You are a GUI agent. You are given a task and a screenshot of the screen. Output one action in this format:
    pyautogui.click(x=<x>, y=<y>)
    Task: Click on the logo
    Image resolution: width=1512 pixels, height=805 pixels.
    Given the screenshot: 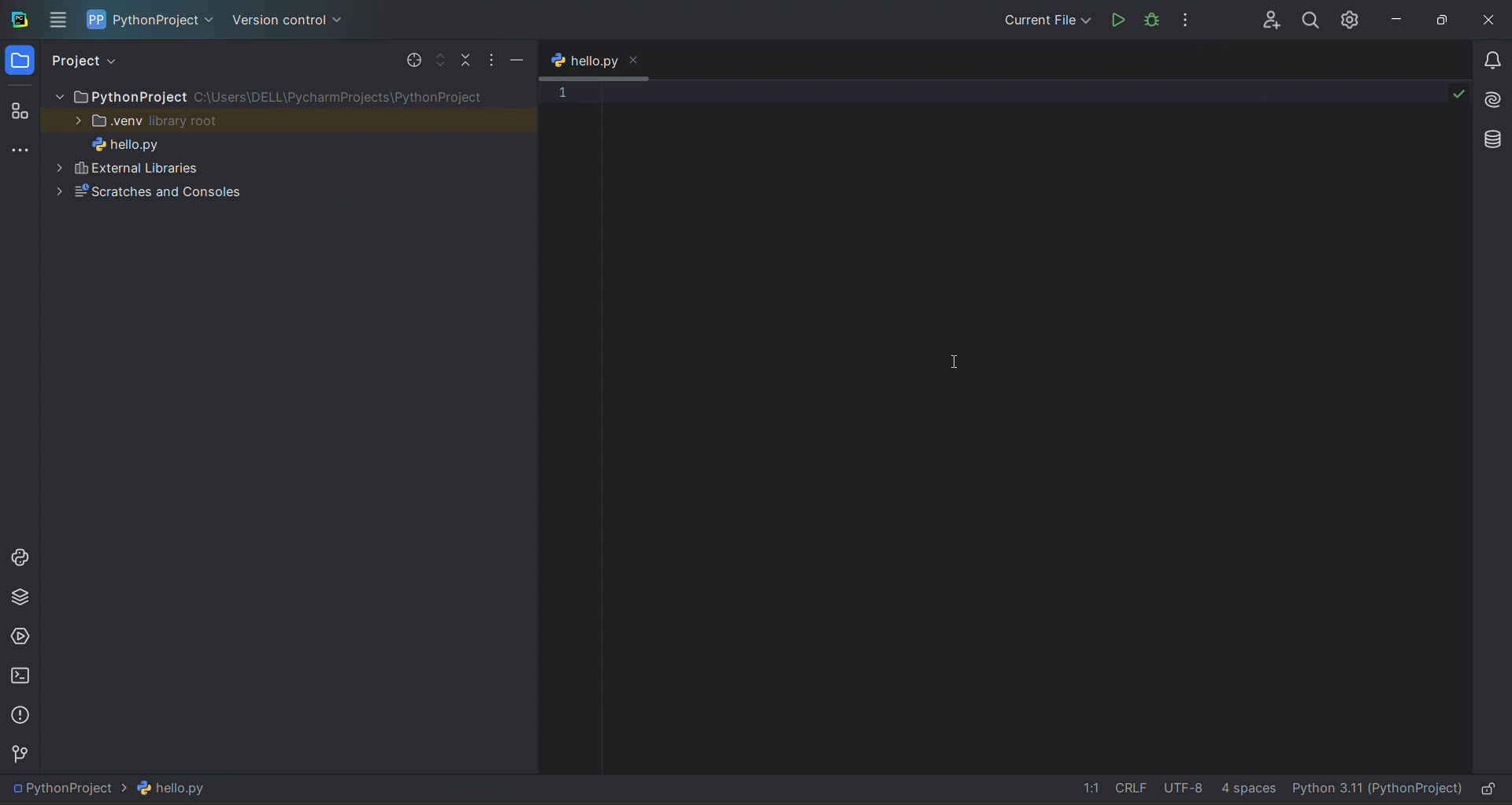 What is the action you would take?
    pyautogui.click(x=18, y=19)
    